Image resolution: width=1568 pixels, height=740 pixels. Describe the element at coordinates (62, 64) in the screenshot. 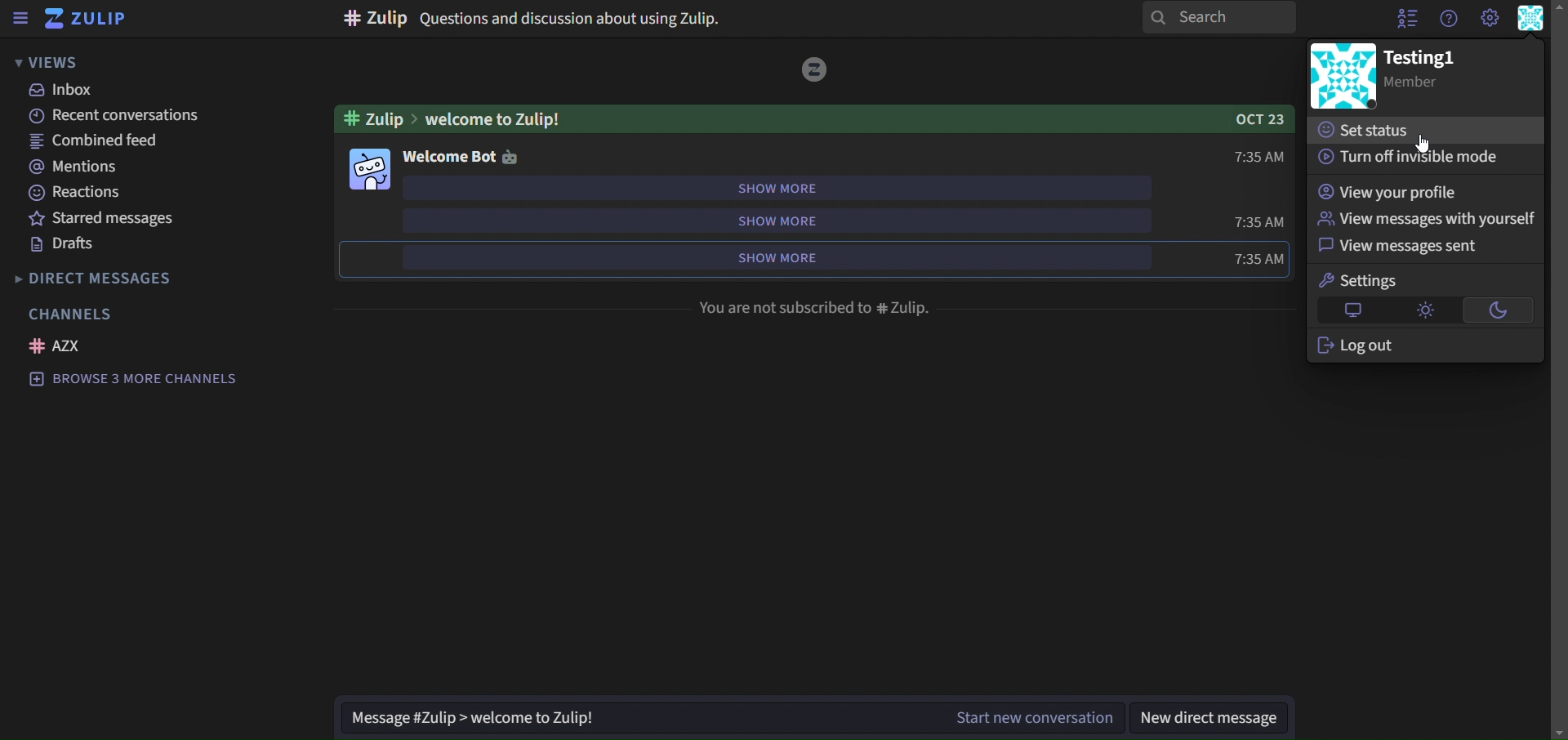

I see `views` at that location.